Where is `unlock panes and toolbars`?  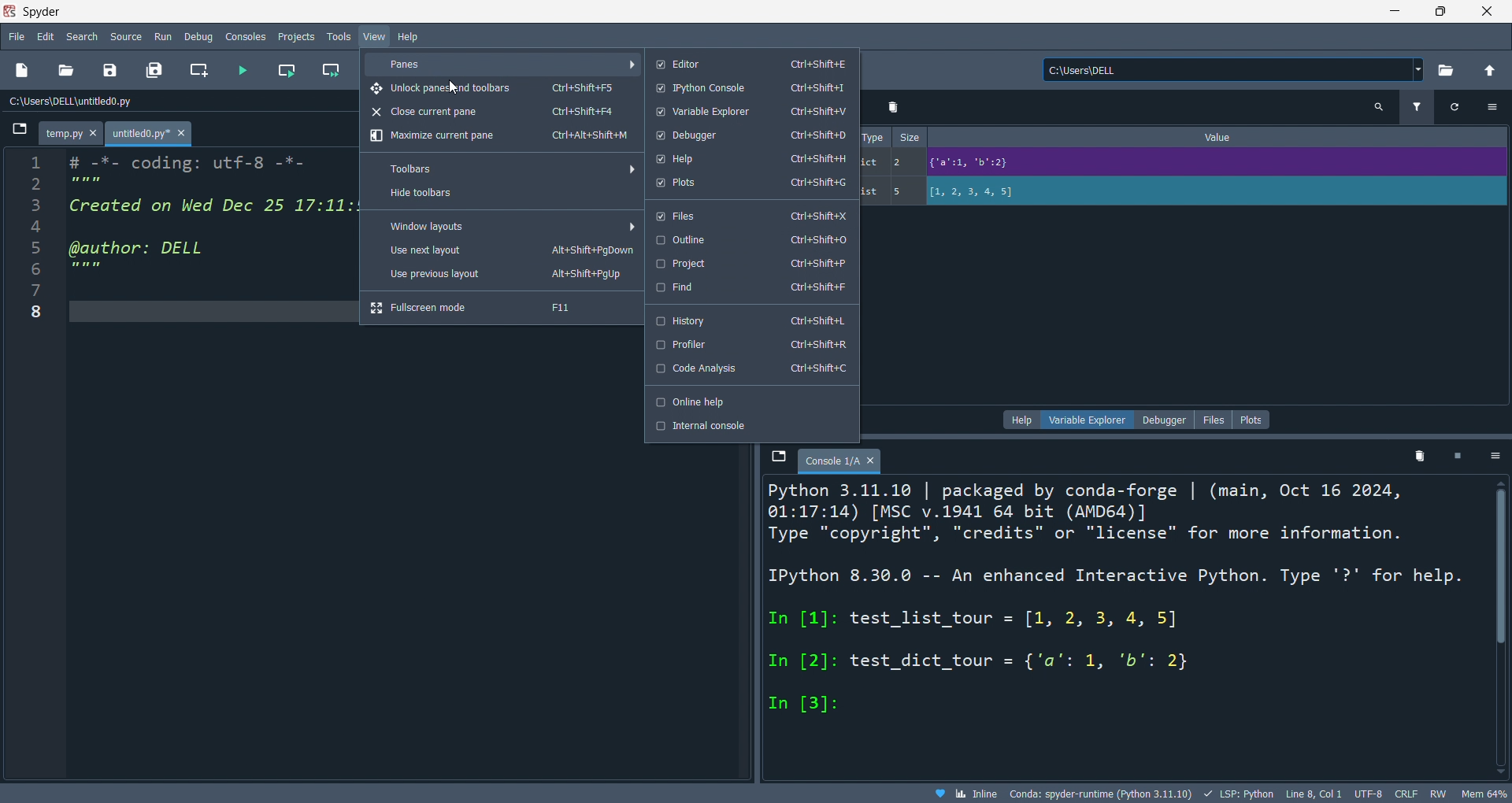
unlock panes and toolbars is located at coordinates (502, 88).